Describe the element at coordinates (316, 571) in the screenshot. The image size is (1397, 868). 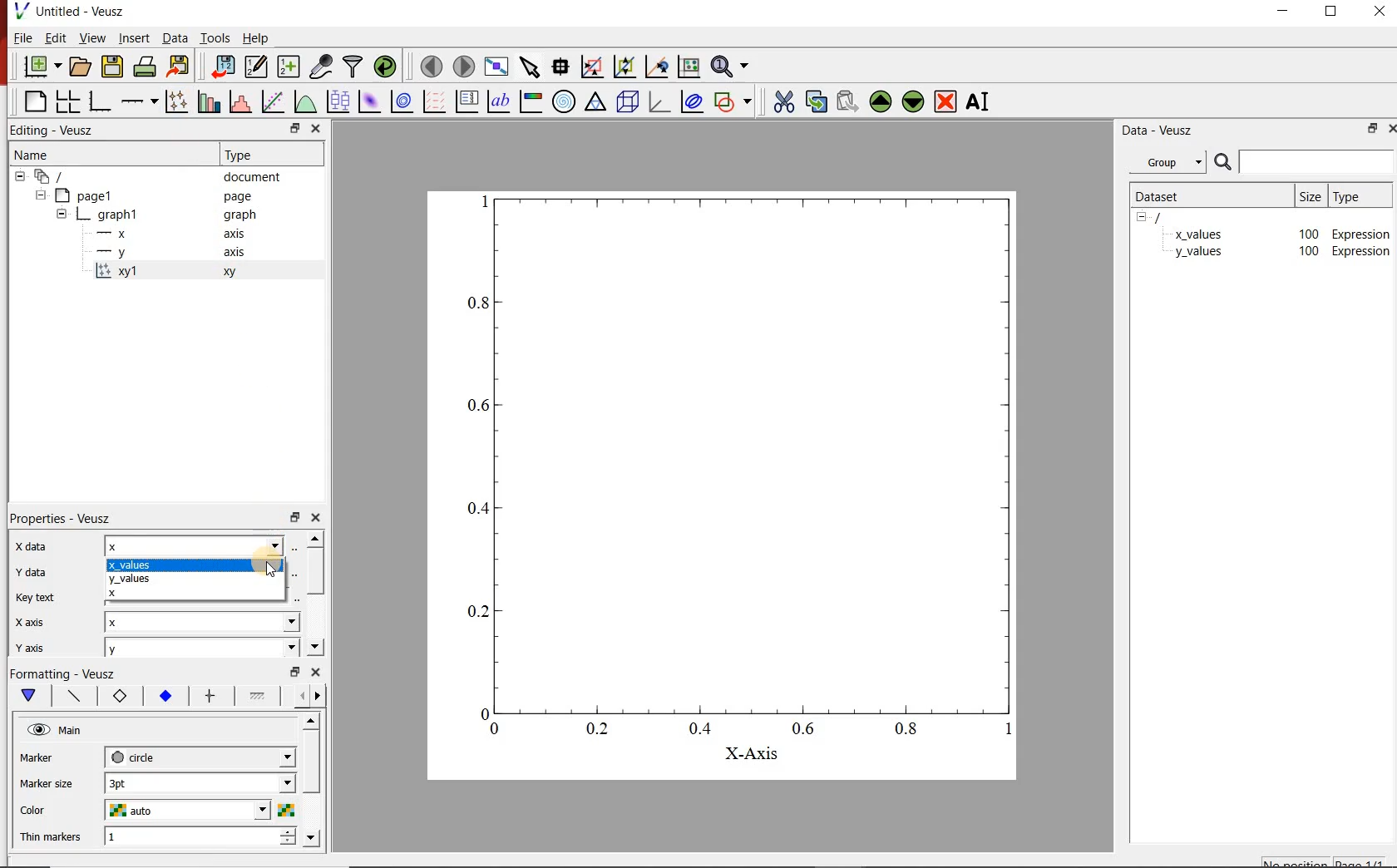
I see `vertical scrollbar` at that location.